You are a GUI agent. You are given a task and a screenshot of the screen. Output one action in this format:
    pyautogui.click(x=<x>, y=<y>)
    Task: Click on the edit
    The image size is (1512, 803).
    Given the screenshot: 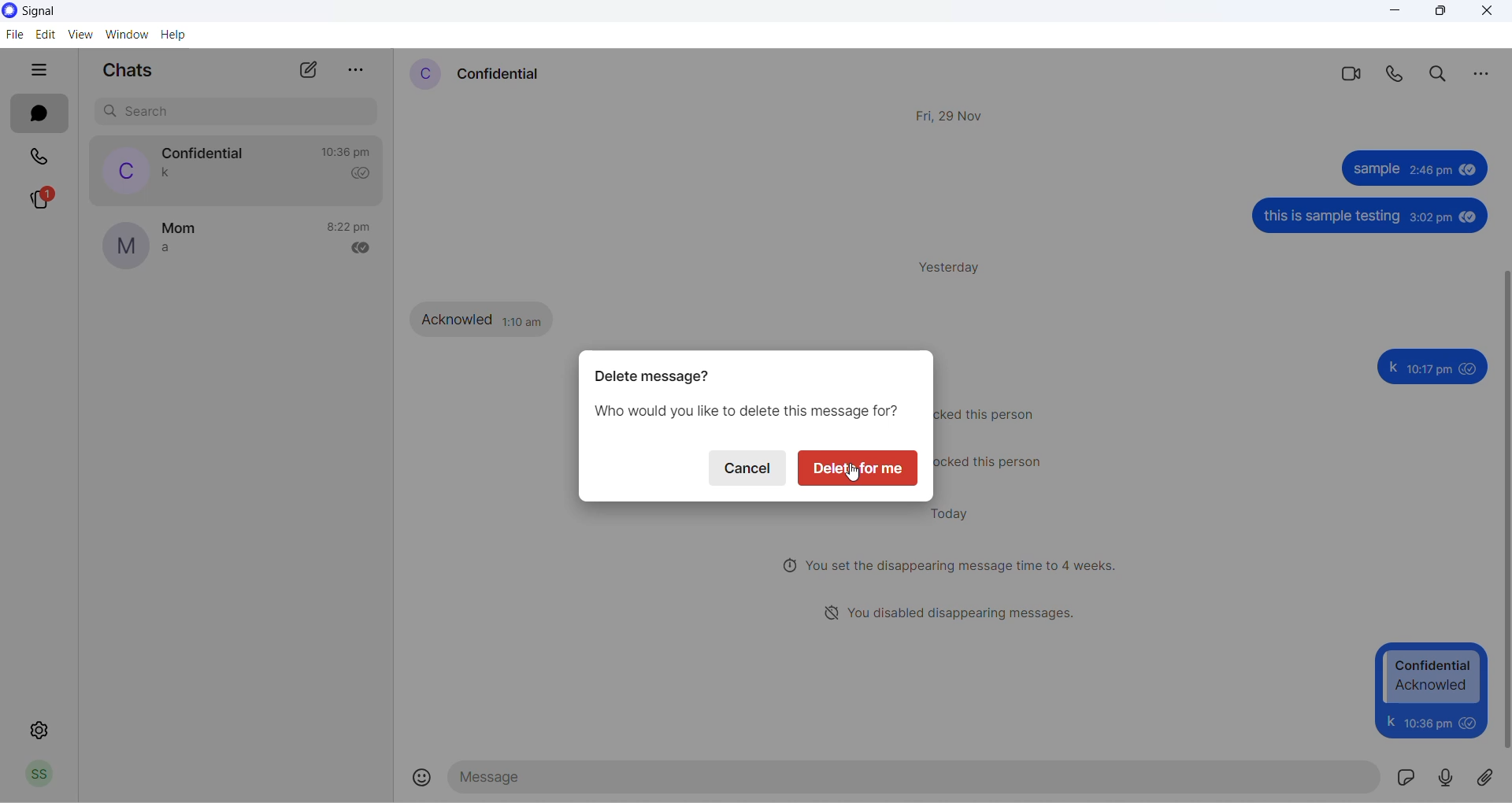 What is the action you would take?
    pyautogui.click(x=45, y=35)
    